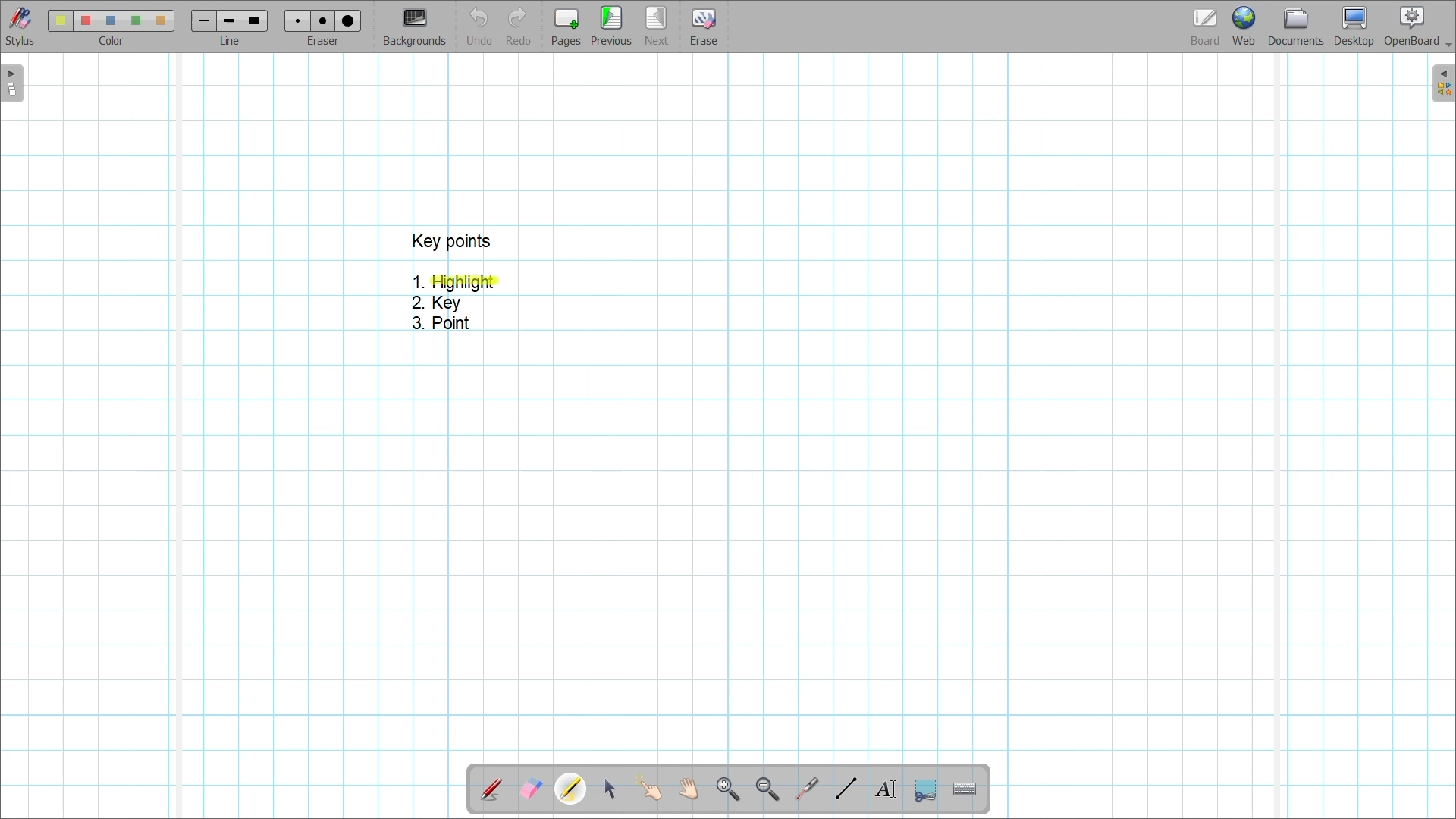 The height and width of the screenshot is (819, 1456). What do you see at coordinates (768, 790) in the screenshot?
I see `Zoom out` at bounding box center [768, 790].